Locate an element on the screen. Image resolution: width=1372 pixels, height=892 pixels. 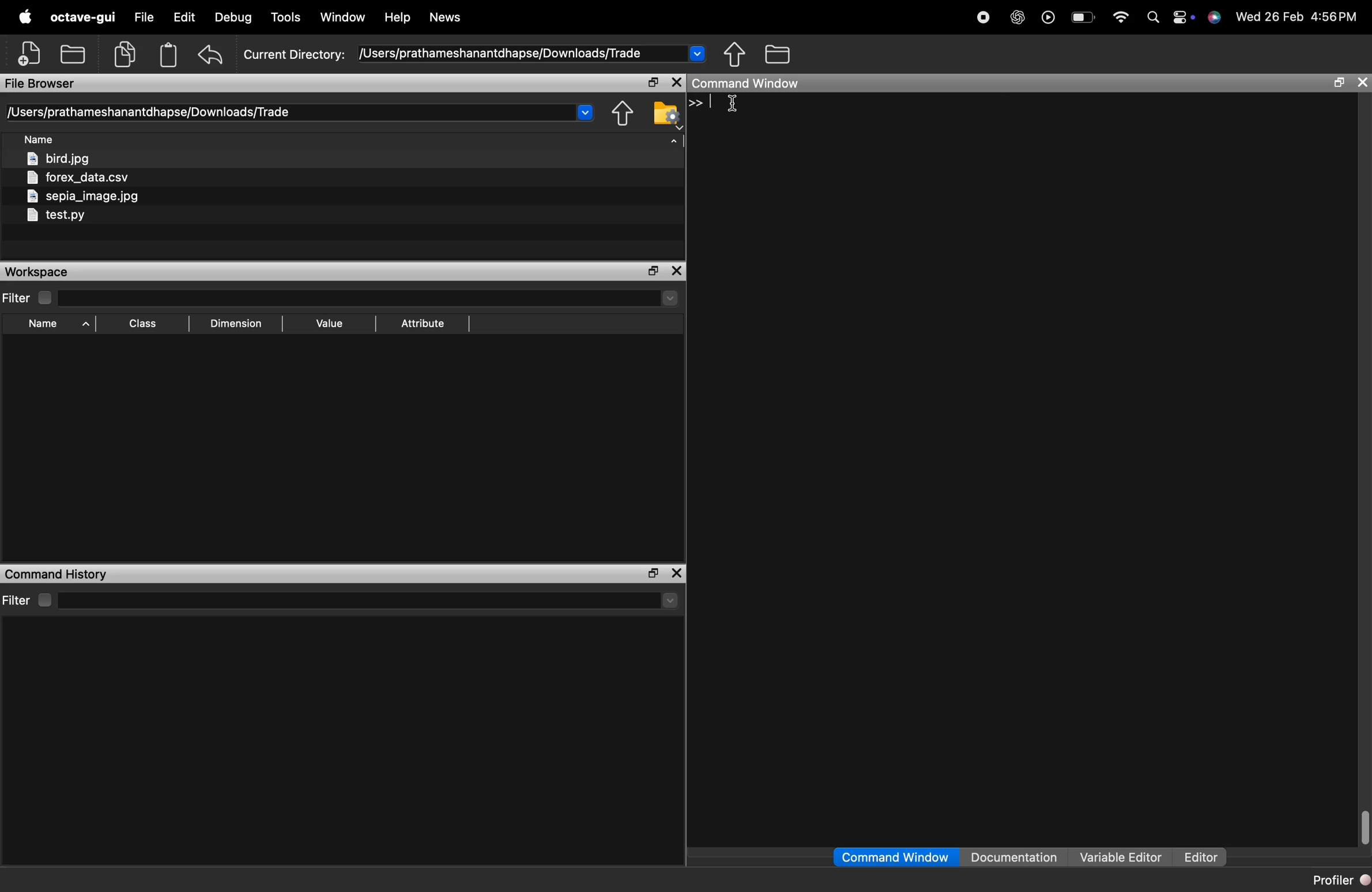
close is located at coordinates (679, 573).